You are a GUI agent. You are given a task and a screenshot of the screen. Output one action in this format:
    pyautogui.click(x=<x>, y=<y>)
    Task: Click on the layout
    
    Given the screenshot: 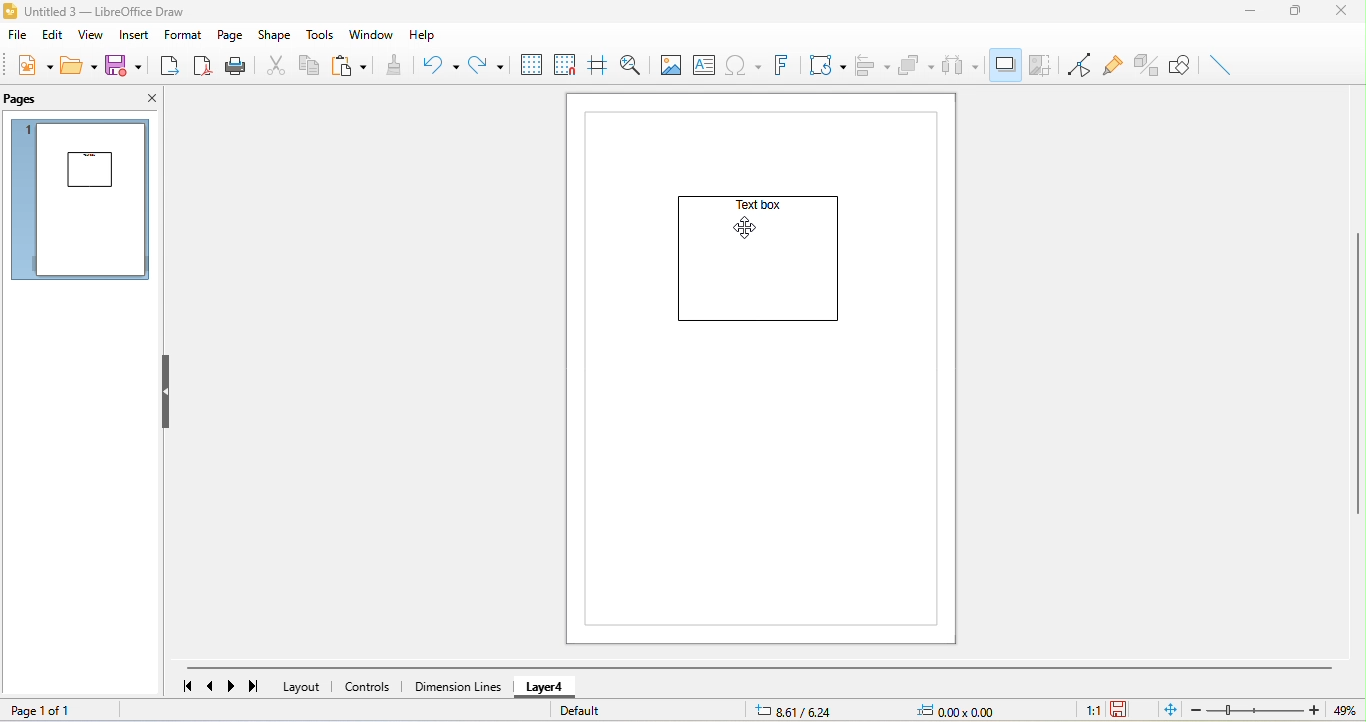 What is the action you would take?
    pyautogui.click(x=304, y=686)
    